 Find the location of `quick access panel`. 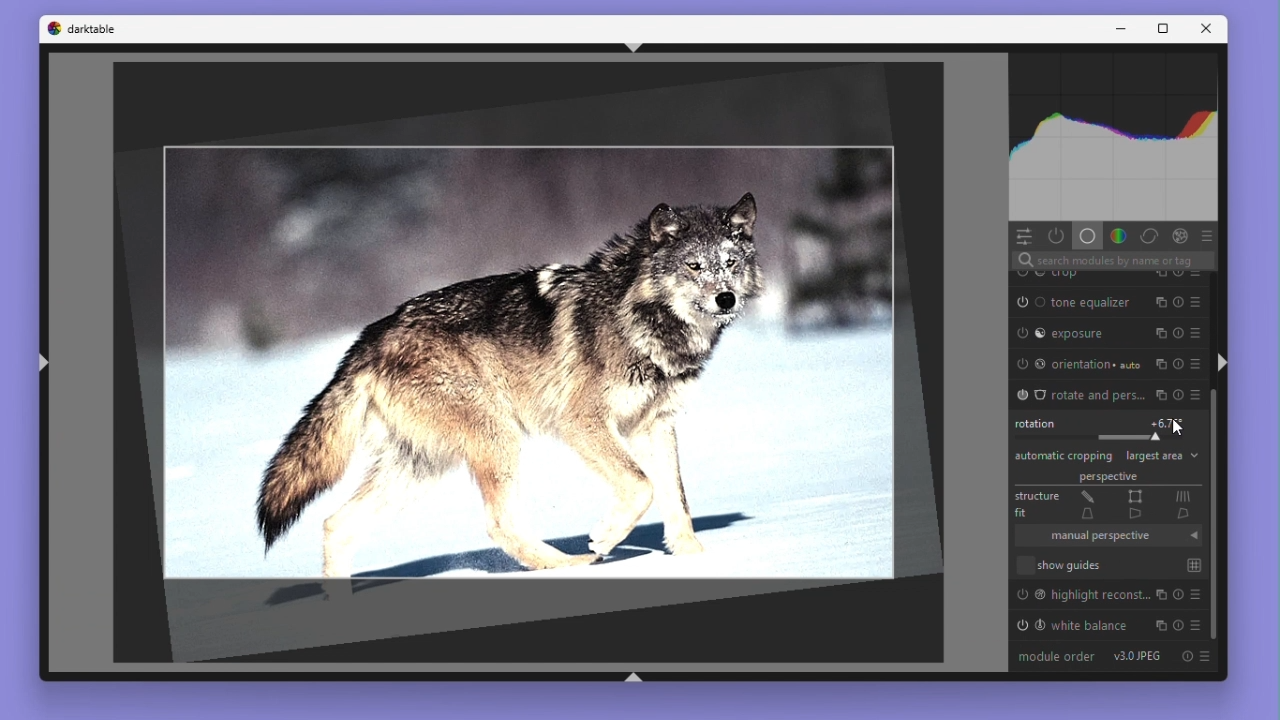

quick access panel is located at coordinates (1026, 235).